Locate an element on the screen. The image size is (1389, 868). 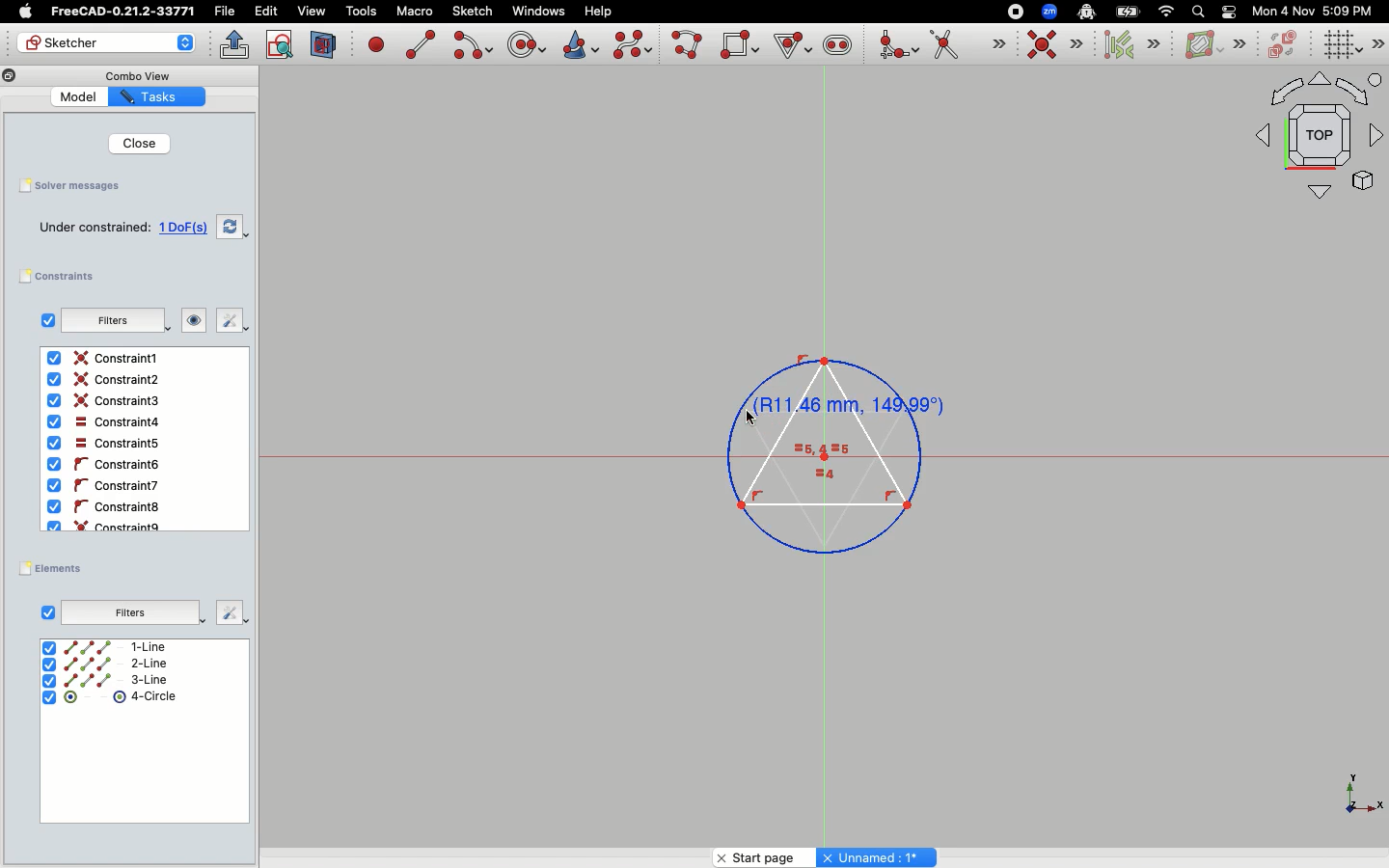
Create line is located at coordinates (421, 44).